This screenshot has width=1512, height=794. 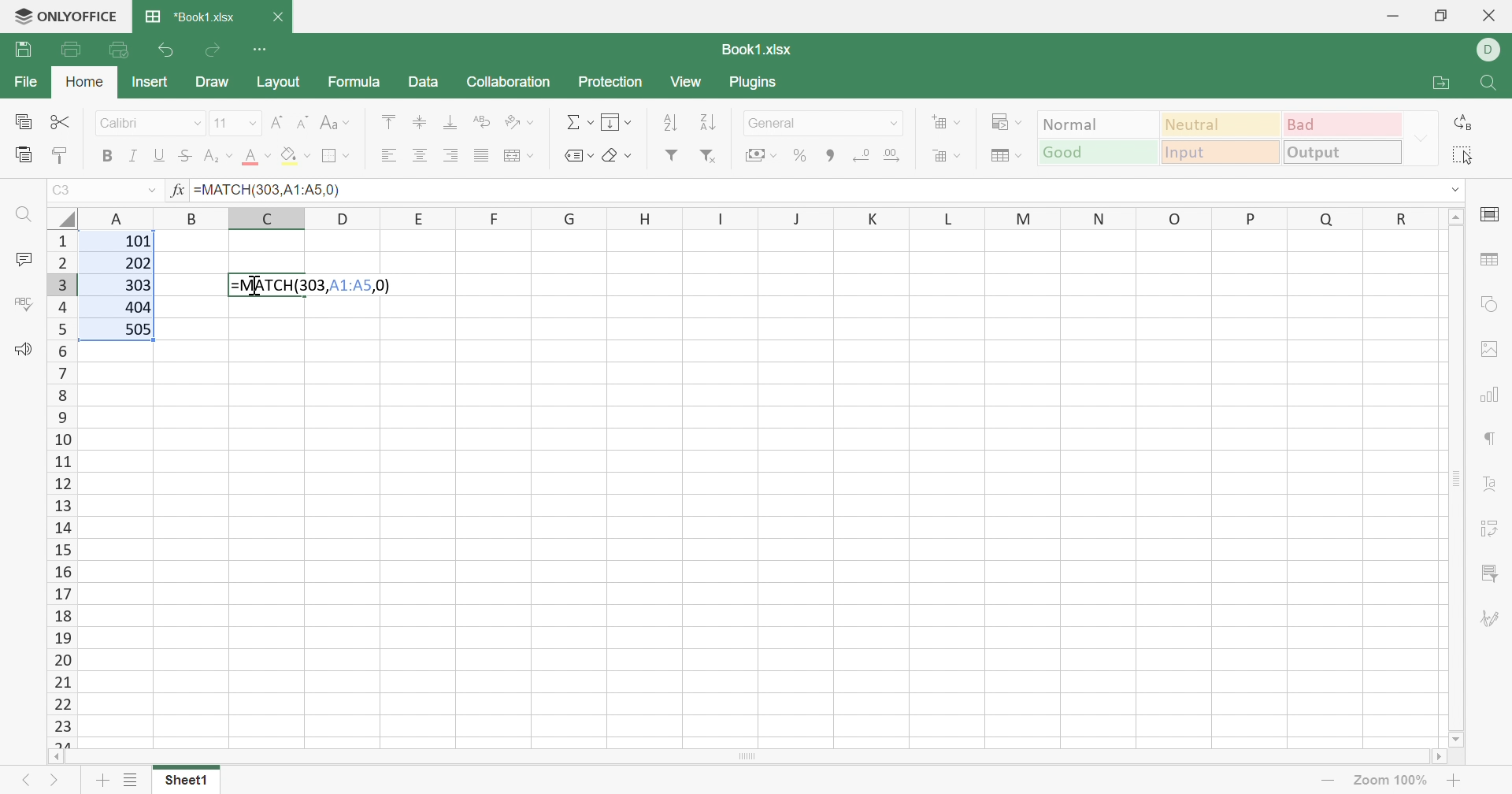 I want to click on Percent, so click(x=802, y=158).